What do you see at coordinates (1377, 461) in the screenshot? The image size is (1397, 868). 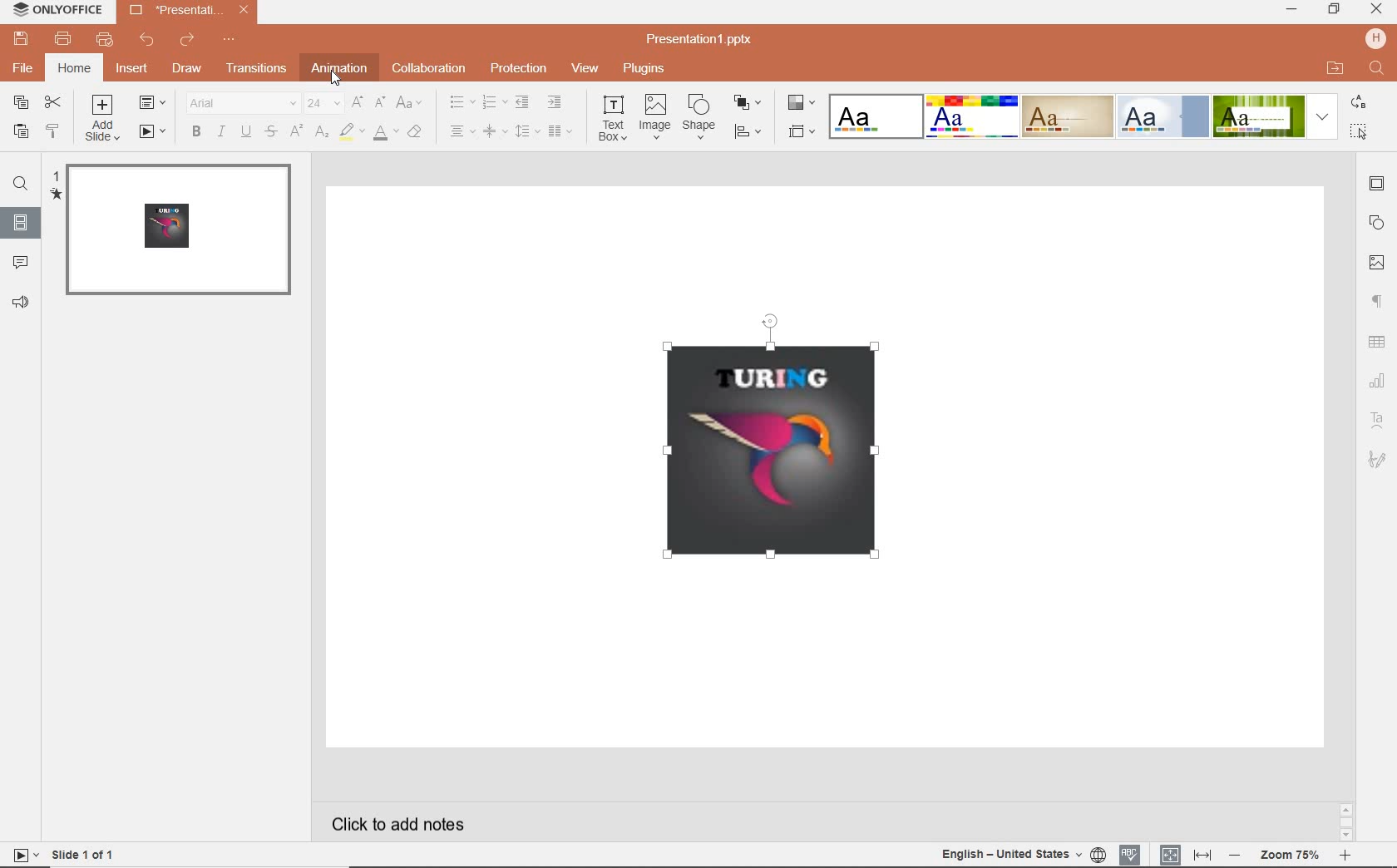 I see `signature` at bounding box center [1377, 461].